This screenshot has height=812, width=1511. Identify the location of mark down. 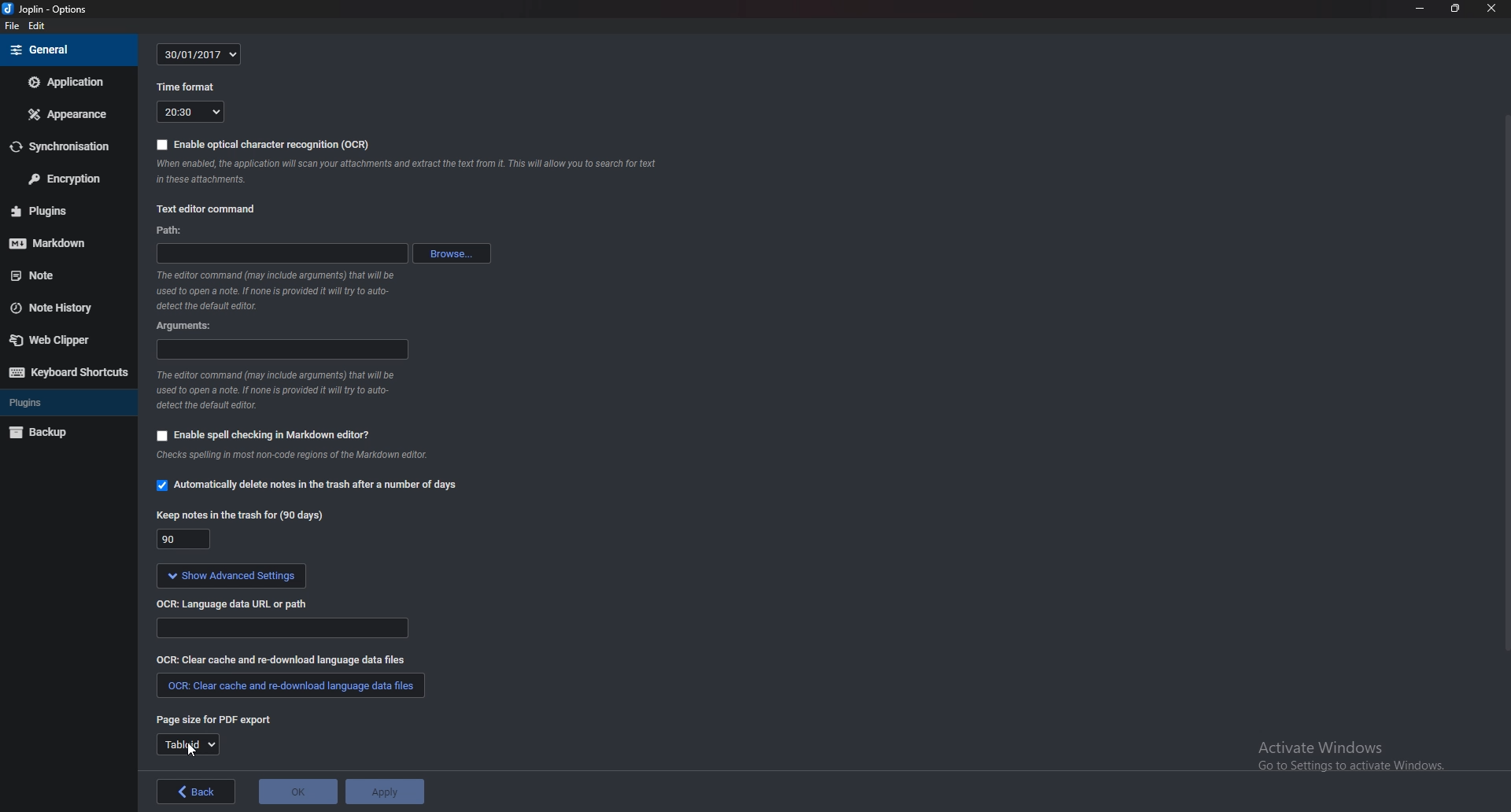
(53, 244).